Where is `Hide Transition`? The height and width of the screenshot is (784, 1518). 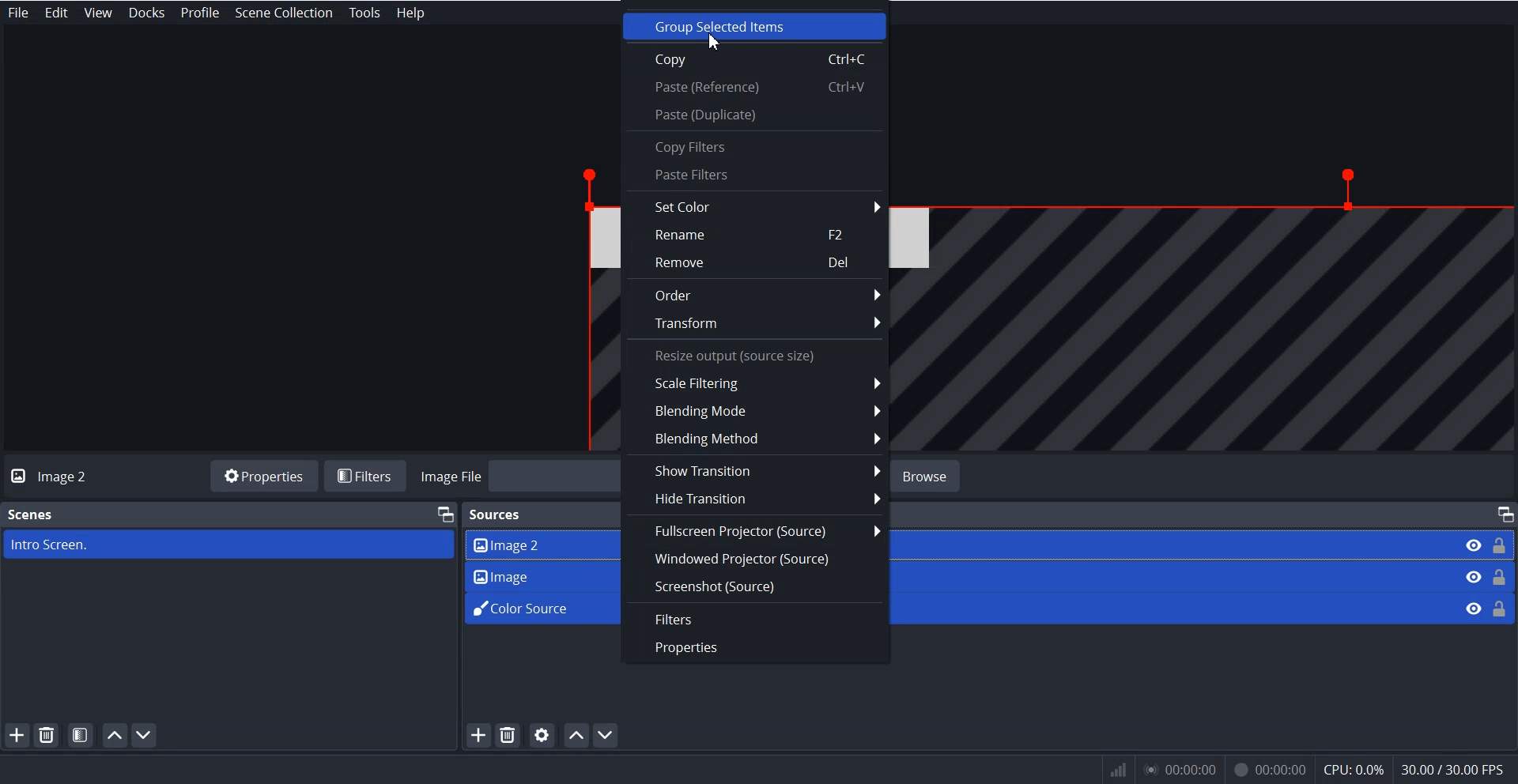 Hide Transition is located at coordinates (757, 499).